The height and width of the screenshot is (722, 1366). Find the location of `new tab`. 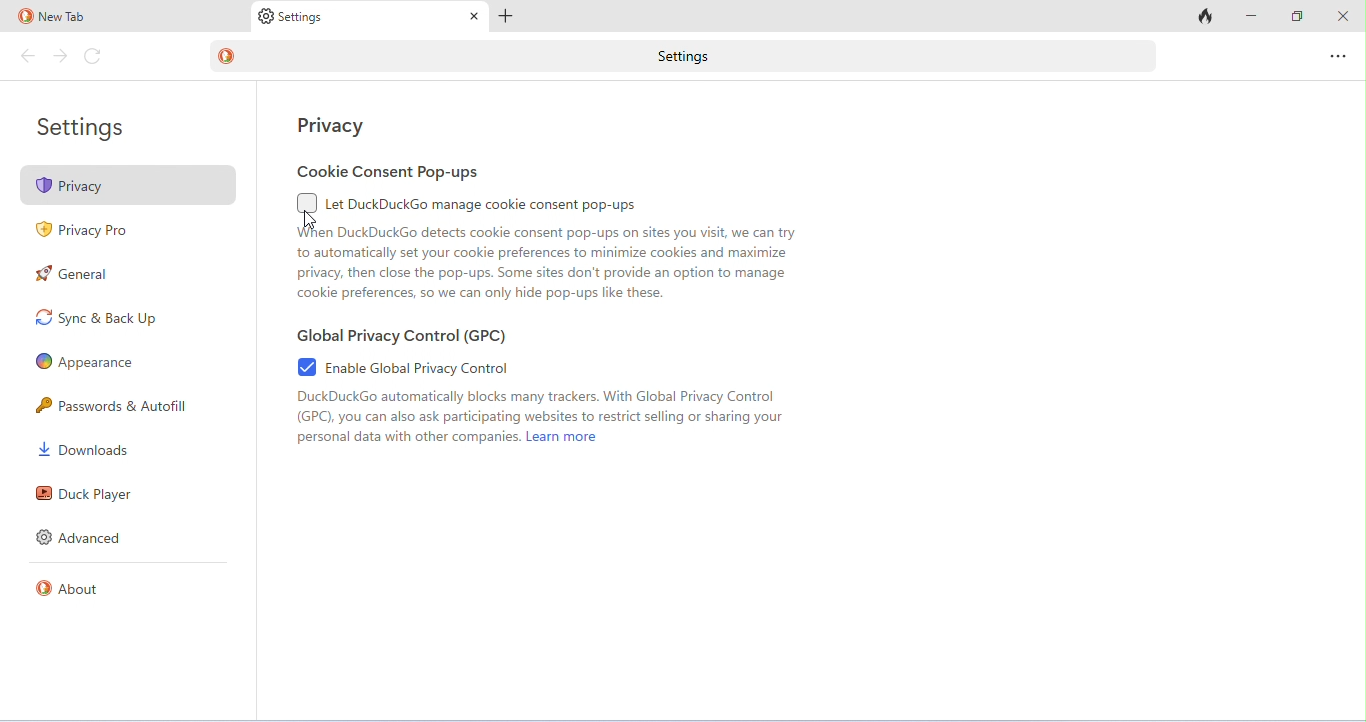

new tab is located at coordinates (53, 17).